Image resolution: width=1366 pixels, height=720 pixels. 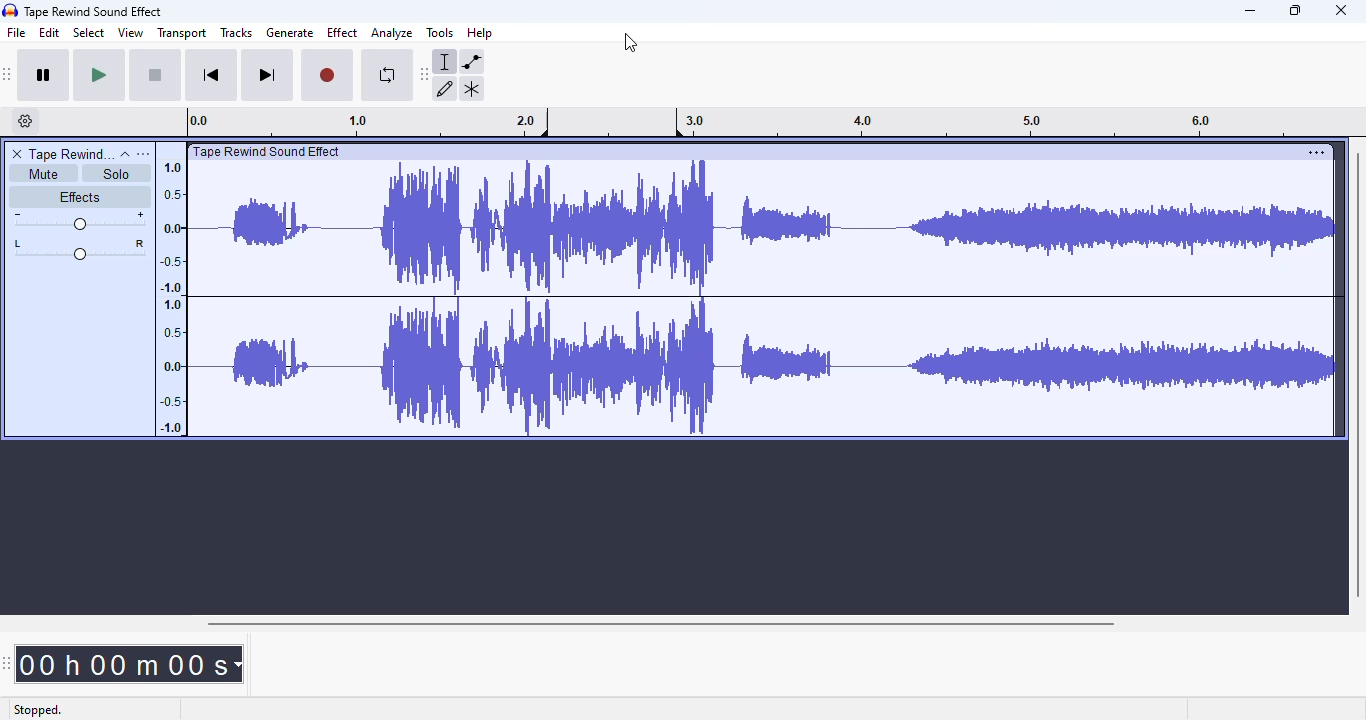 What do you see at coordinates (144, 154) in the screenshot?
I see `open menu` at bounding box center [144, 154].